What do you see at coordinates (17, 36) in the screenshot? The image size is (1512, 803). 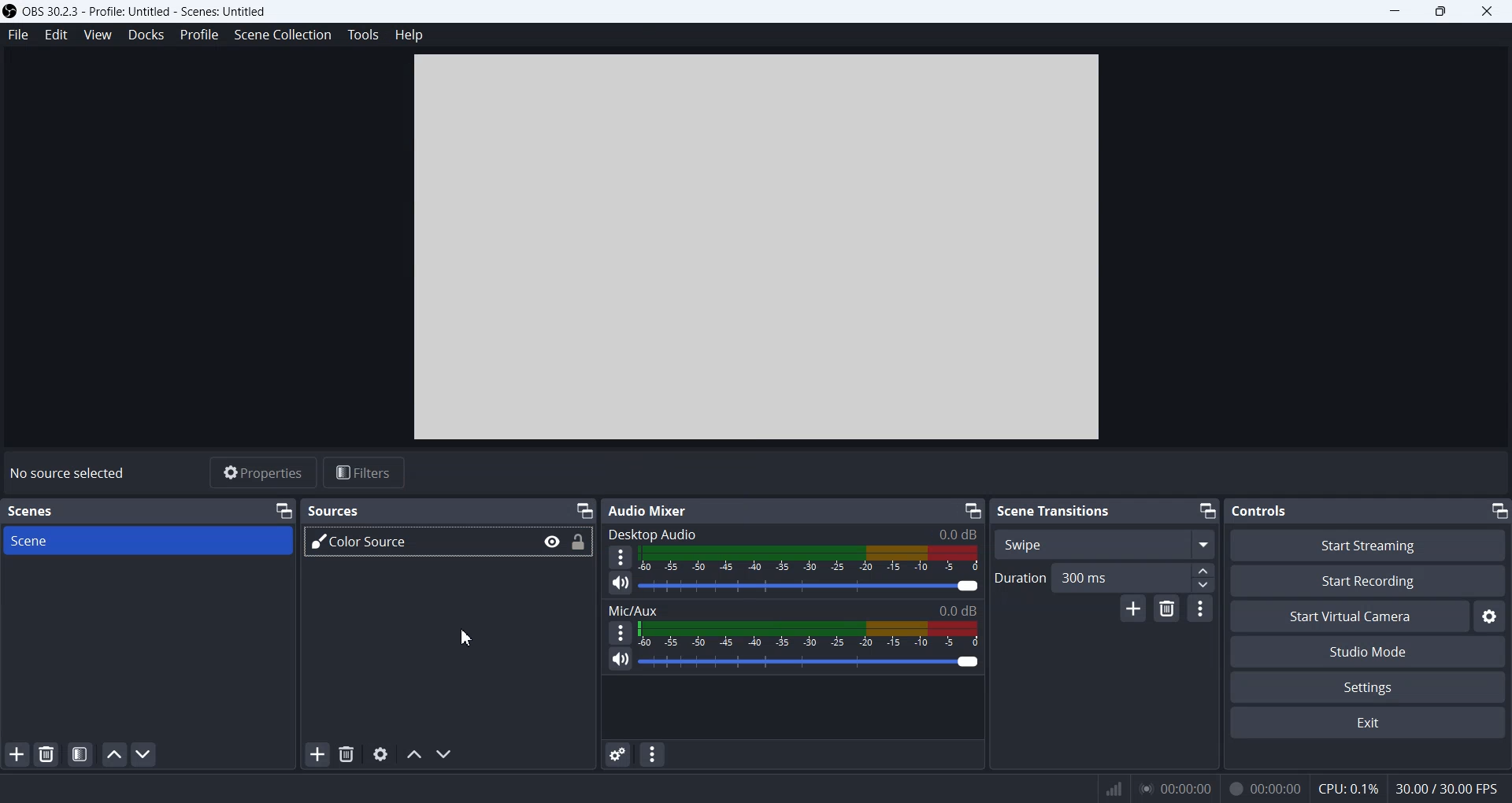 I see `File` at bounding box center [17, 36].